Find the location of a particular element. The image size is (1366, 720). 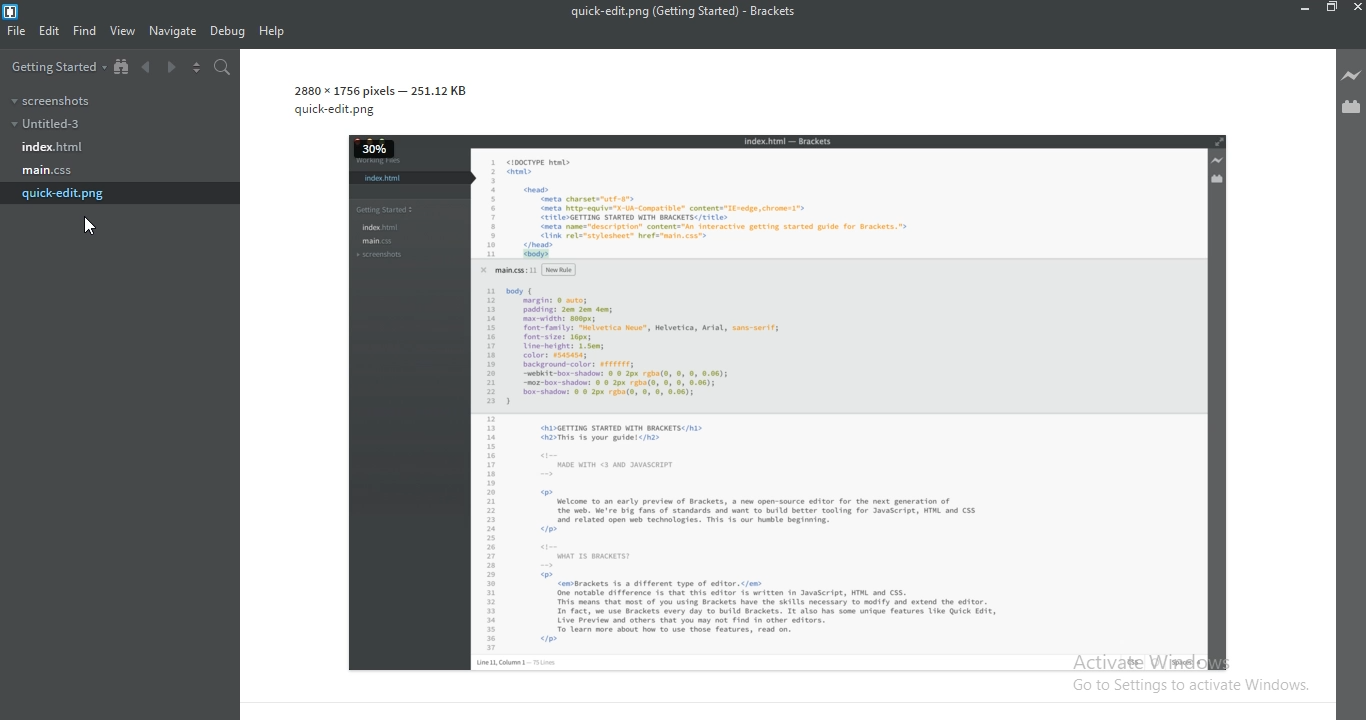

getting started is located at coordinates (53, 66).